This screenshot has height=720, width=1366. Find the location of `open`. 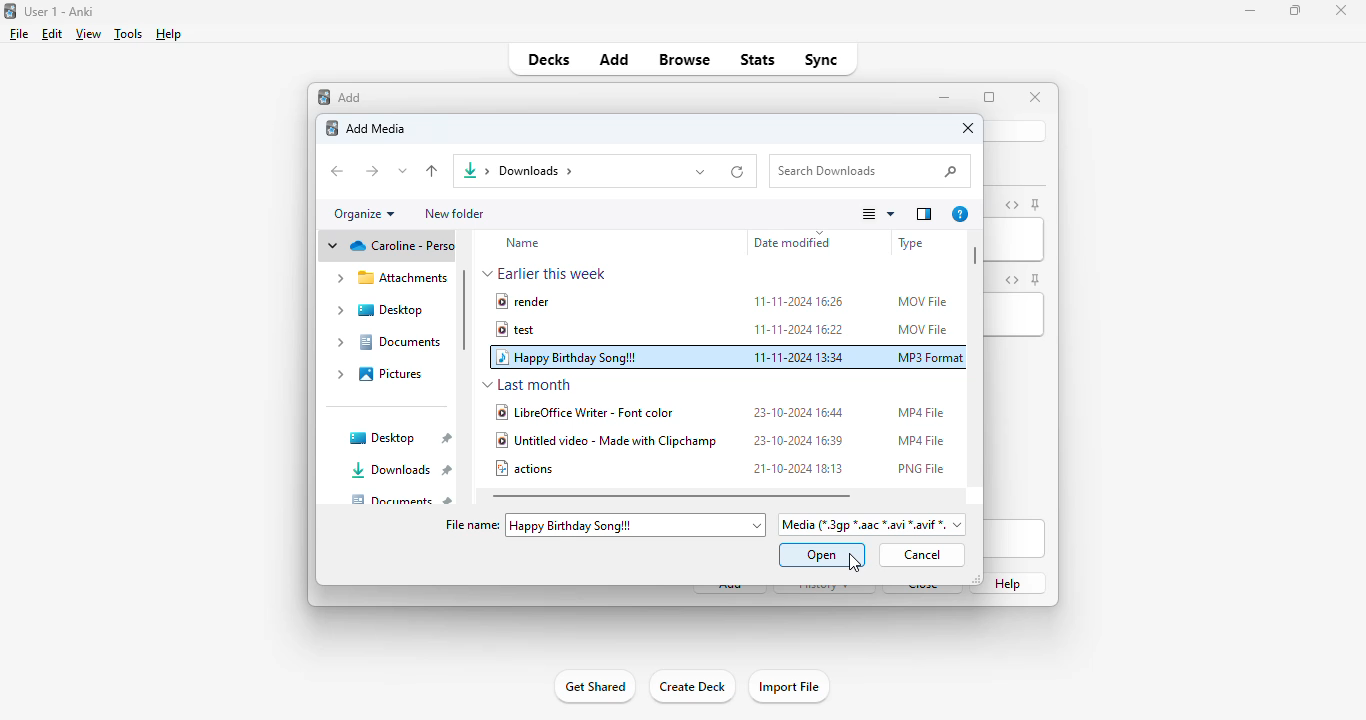

open is located at coordinates (823, 555).